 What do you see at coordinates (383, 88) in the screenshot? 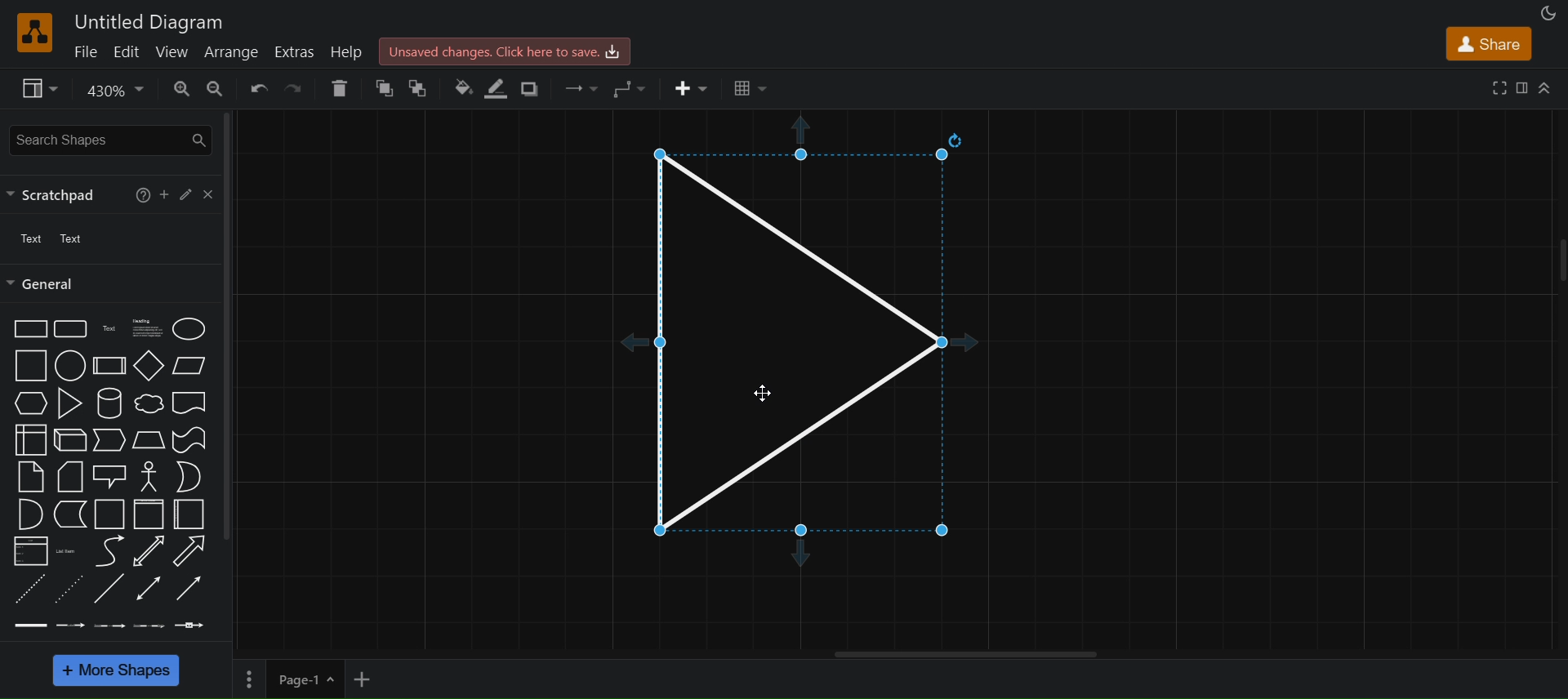
I see `to front` at bounding box center [383, 88].